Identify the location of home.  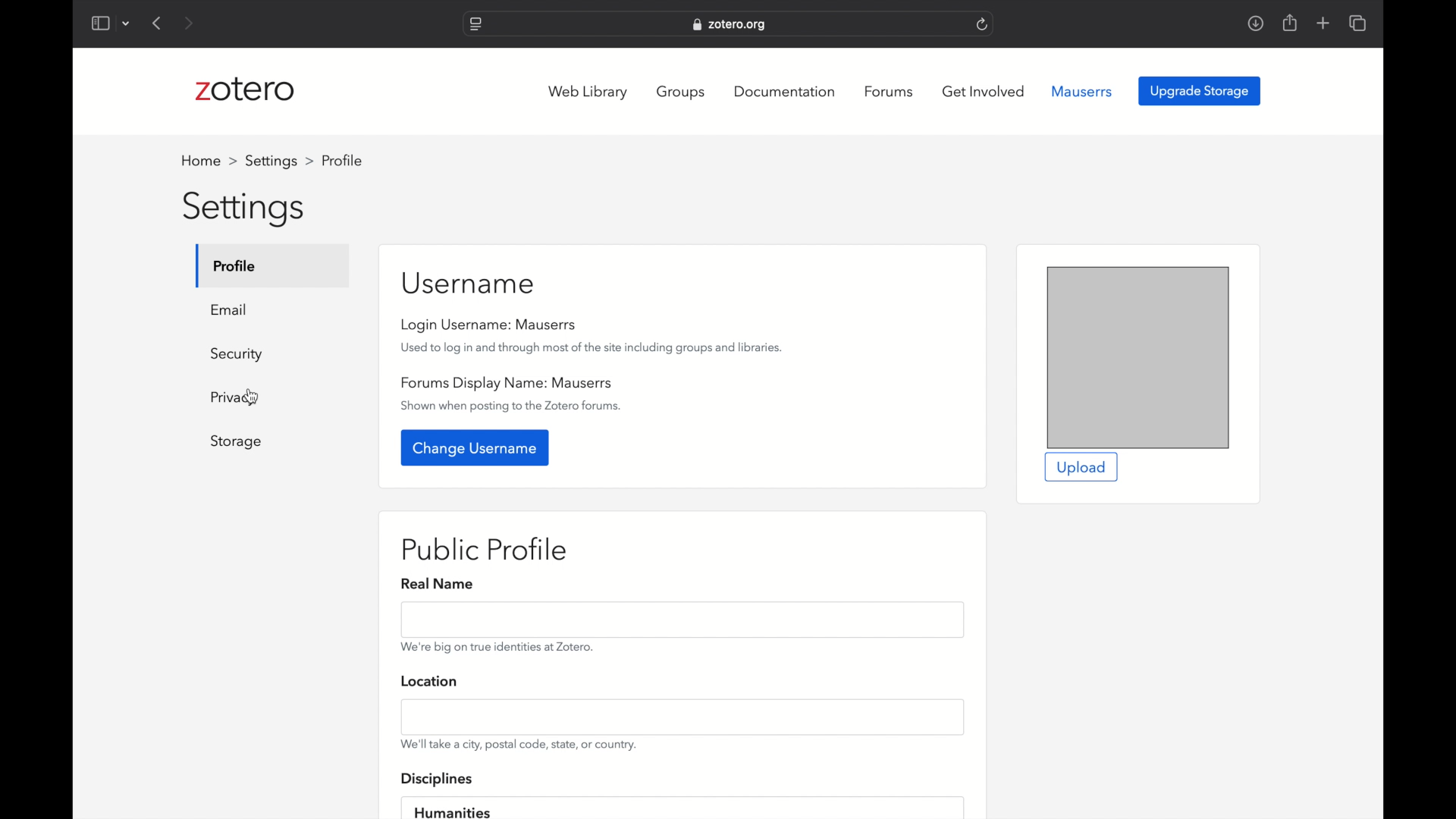
(209, 161).